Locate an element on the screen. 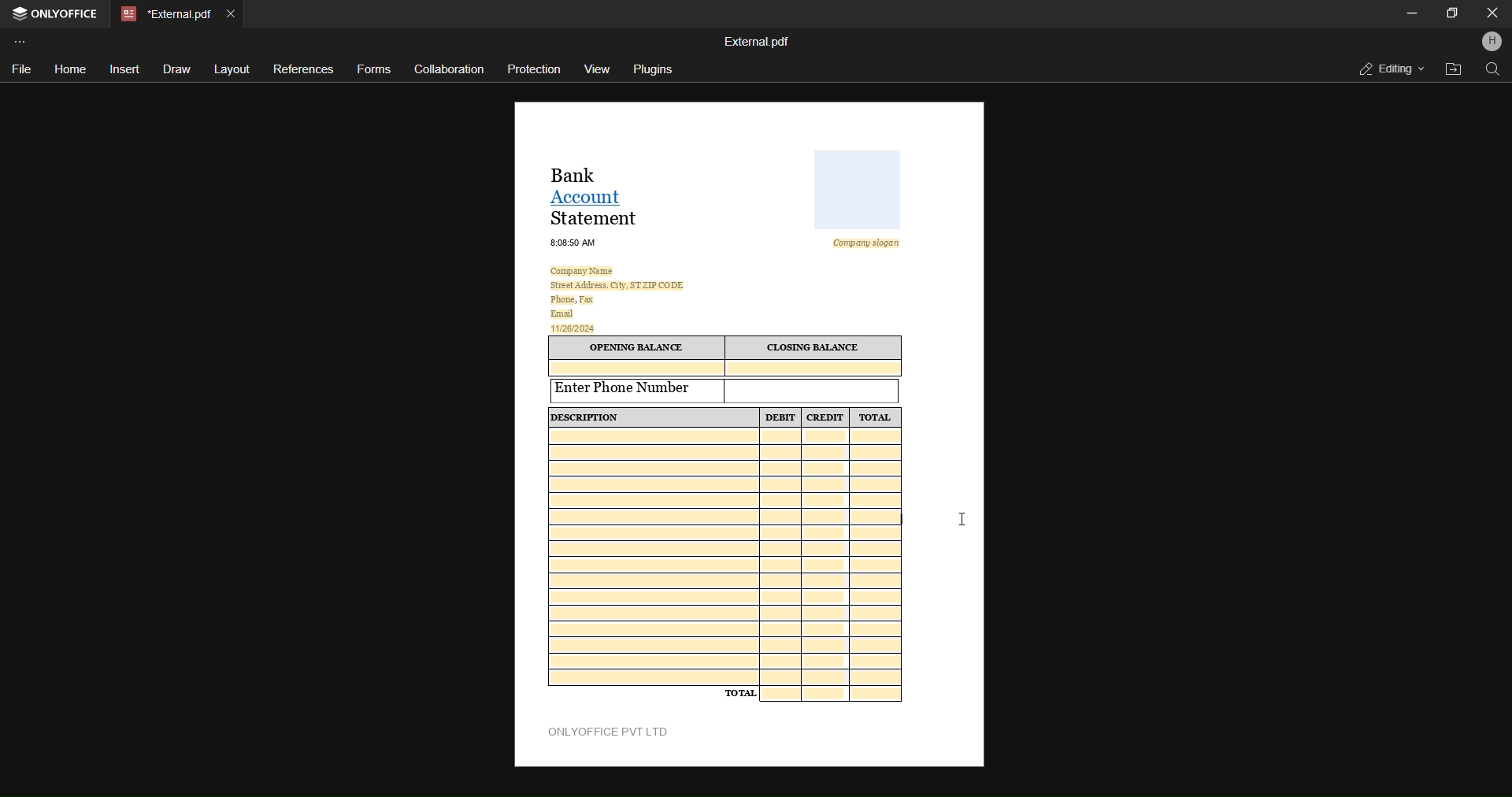  8:08:50 AM is located at coordinates (574, 242).